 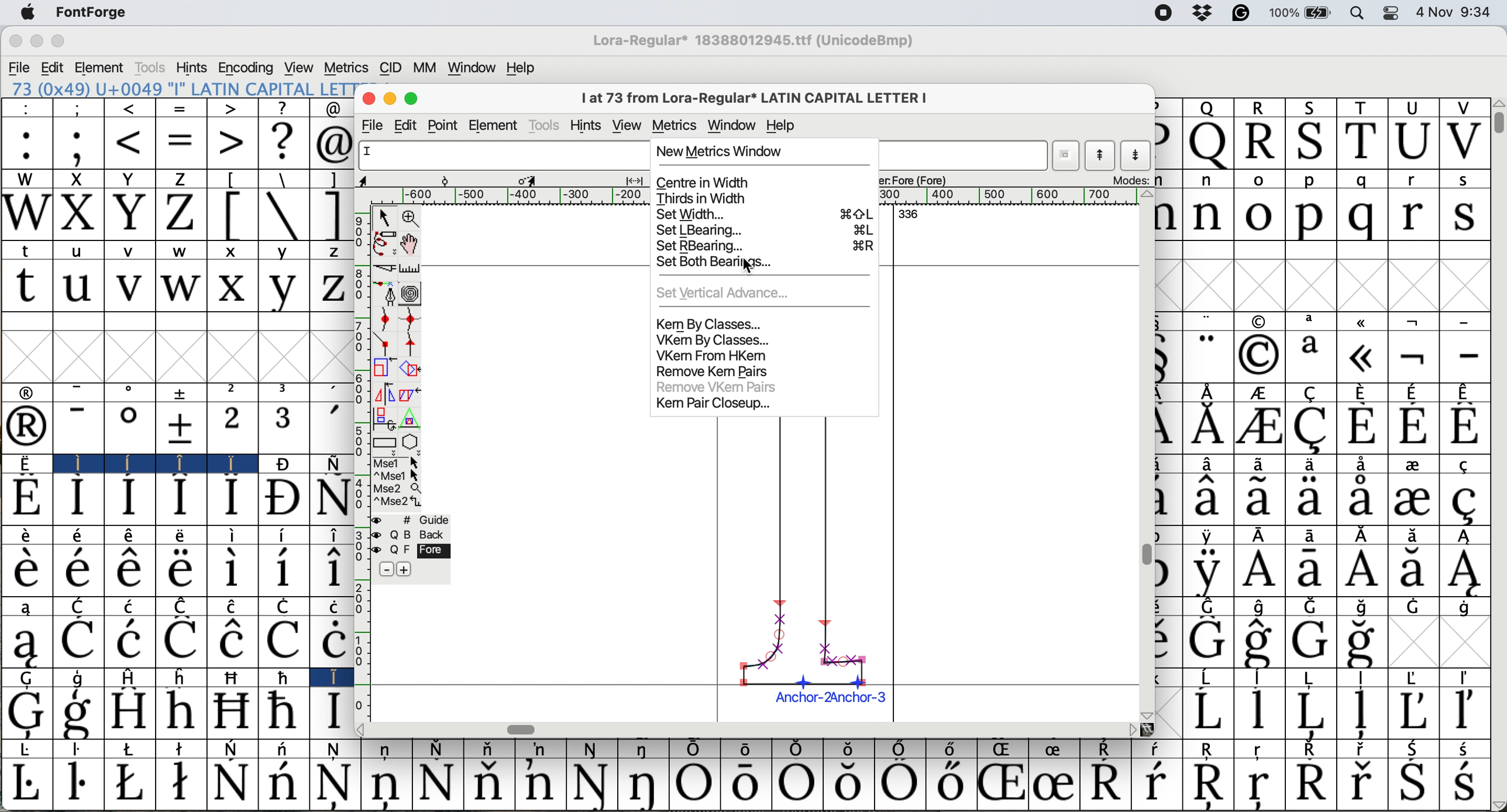 I want to click on Symbol, so click(x=1415, y=535).